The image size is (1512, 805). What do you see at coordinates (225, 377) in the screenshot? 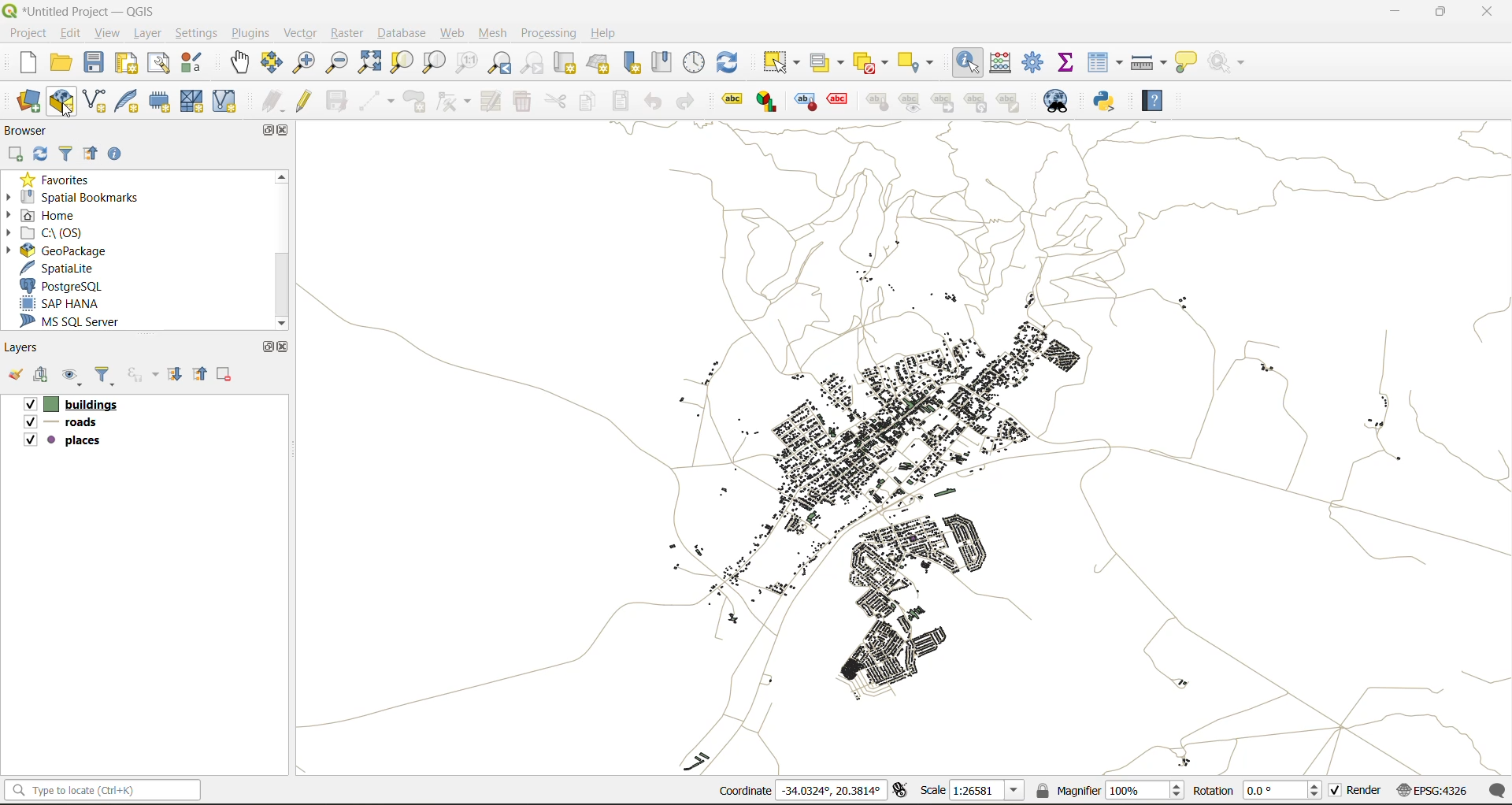
I see `remove` at bounding box center [225, 377].